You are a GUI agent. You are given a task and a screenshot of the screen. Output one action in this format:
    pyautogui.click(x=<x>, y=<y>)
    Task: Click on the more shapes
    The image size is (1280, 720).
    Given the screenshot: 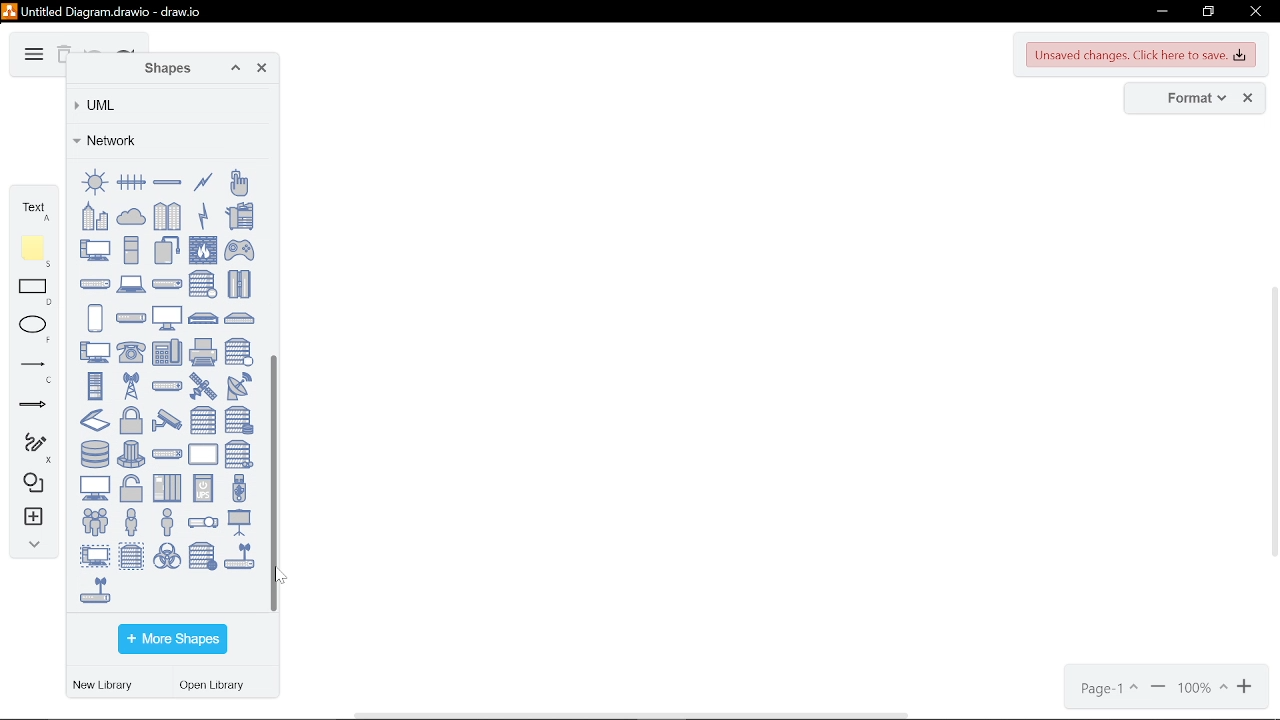 What is the action you would take?
    pyautogui.click(x=172, y=640)
    